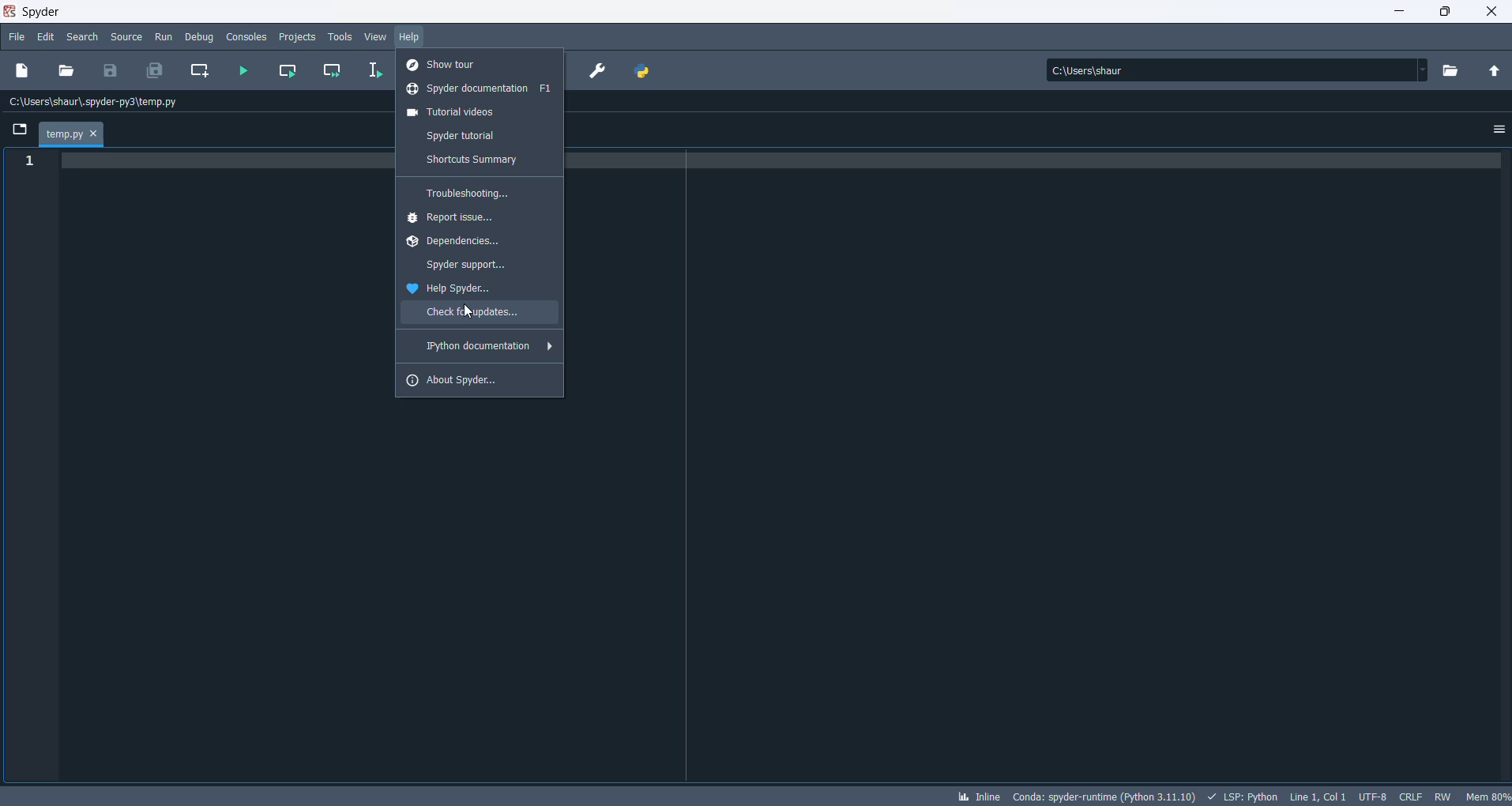 The image size is (1512, 806). What do you see at coordinates (1489, 796) in the screenshot?
I see `memory usage` at bounding box center [1489, 796].